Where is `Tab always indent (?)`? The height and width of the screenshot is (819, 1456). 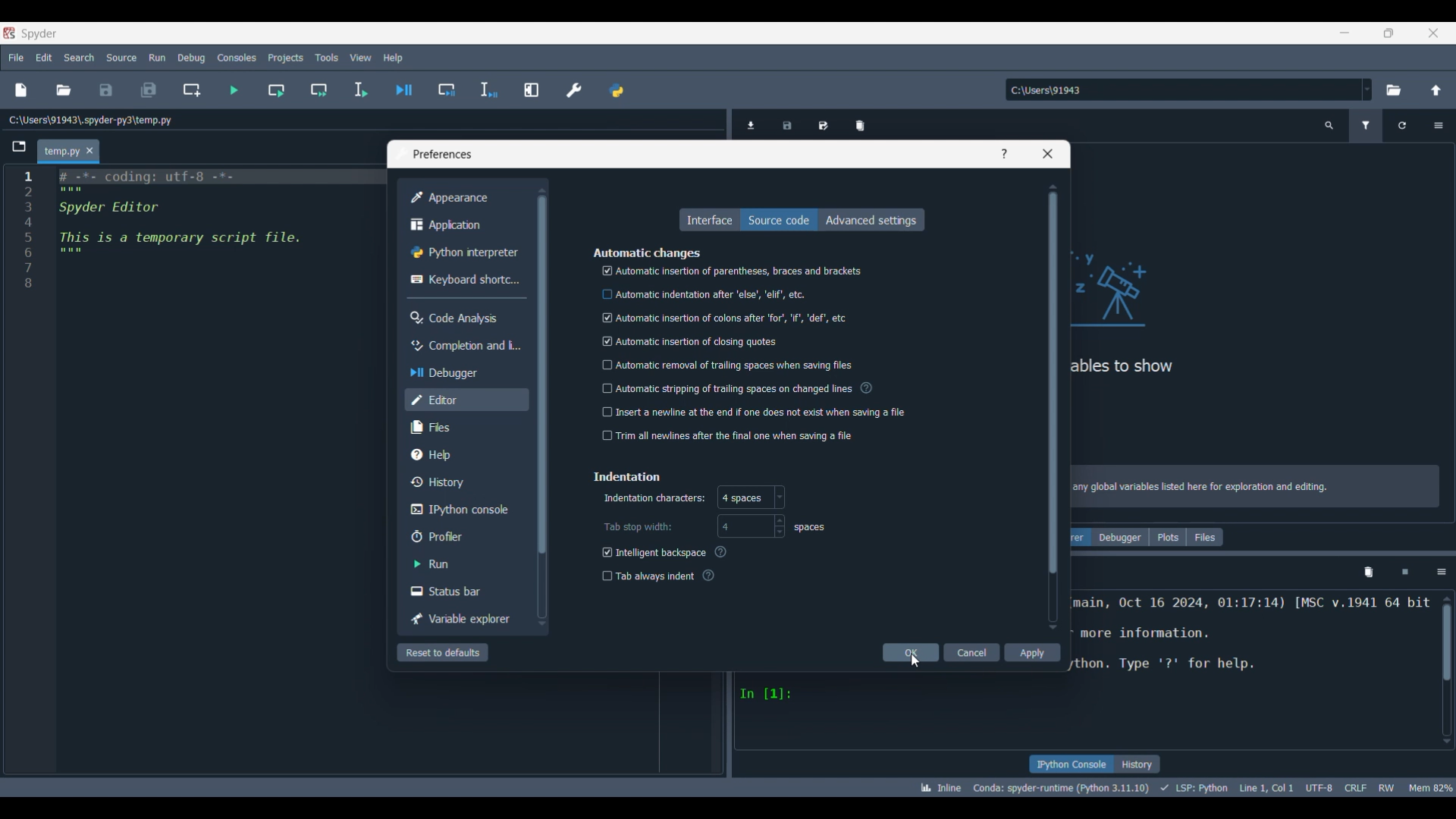
Tab always indent (?) is located at coordinates (660, 577).